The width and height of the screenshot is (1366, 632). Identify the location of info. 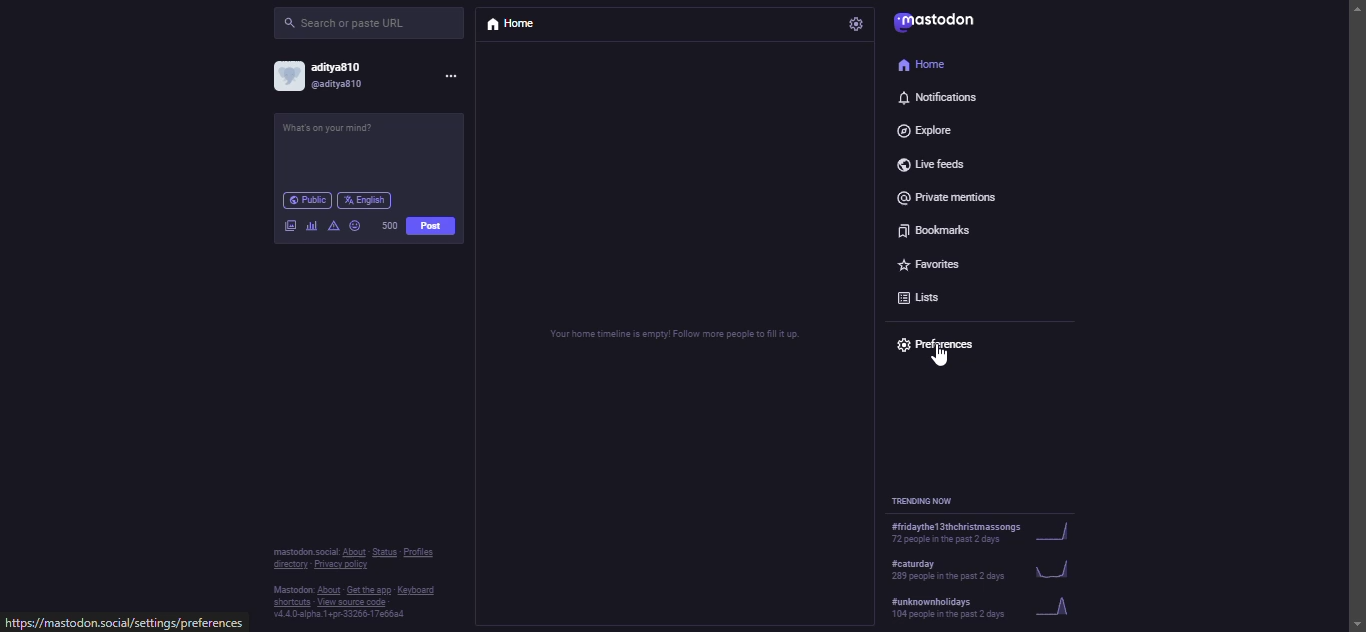
(352, 584).